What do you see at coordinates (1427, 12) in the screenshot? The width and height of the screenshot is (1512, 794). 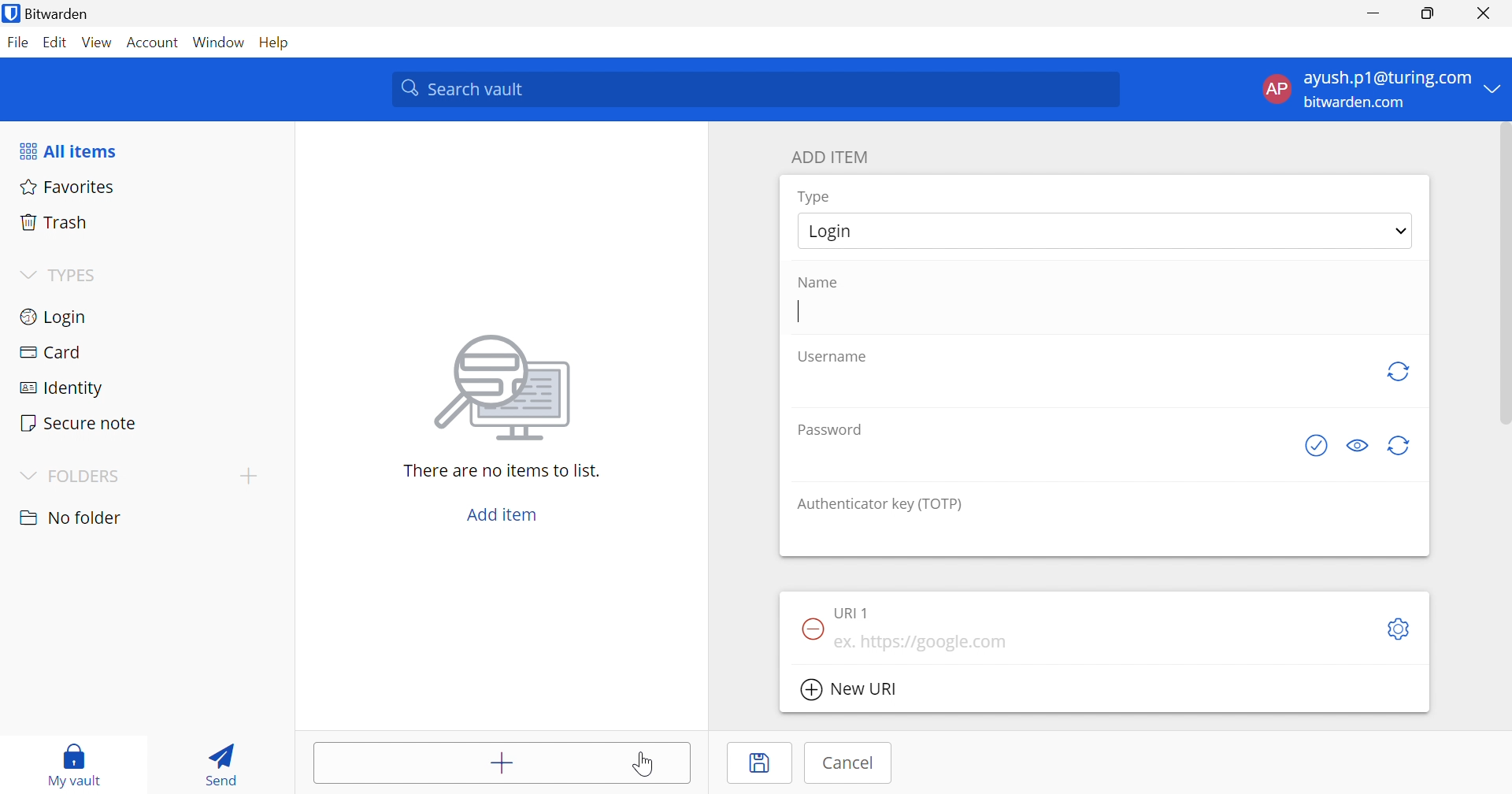 I see `Restore Down` at bounding box center [1427, 12].